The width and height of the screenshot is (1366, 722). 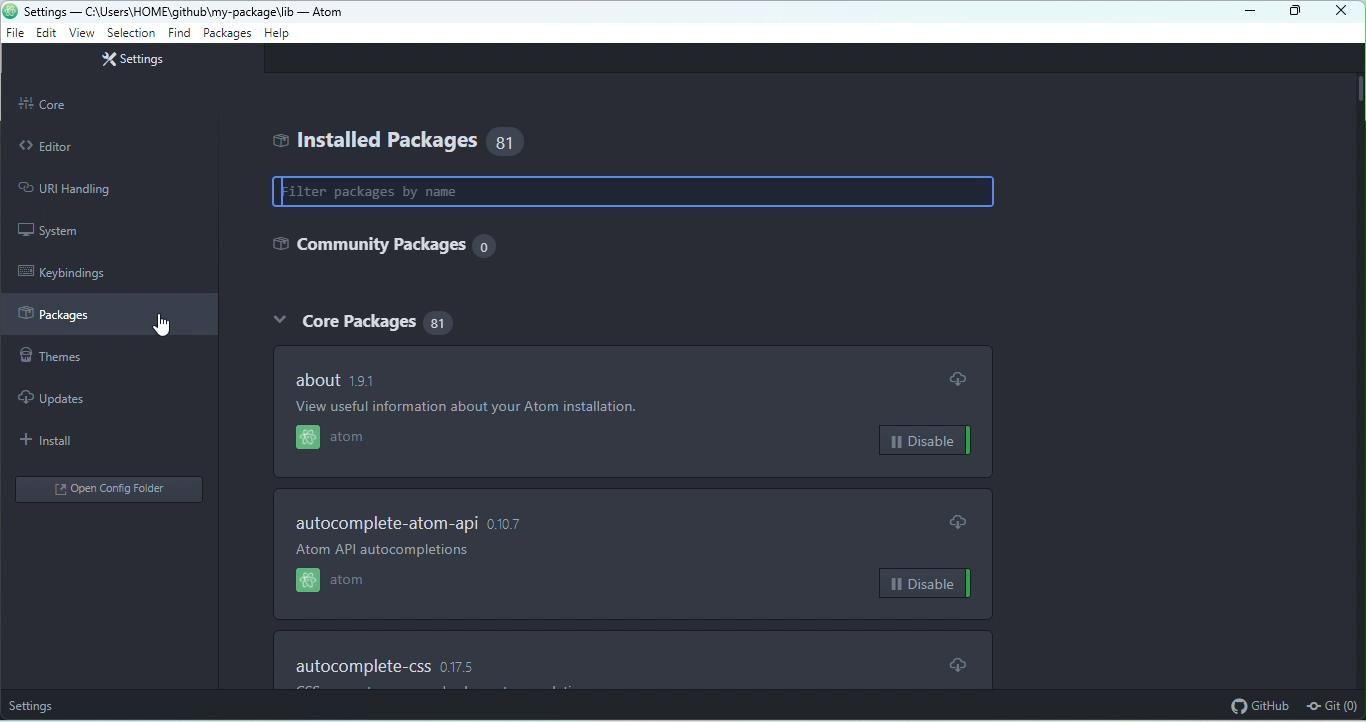 I want to click on git, so click(x=1333, y=707).